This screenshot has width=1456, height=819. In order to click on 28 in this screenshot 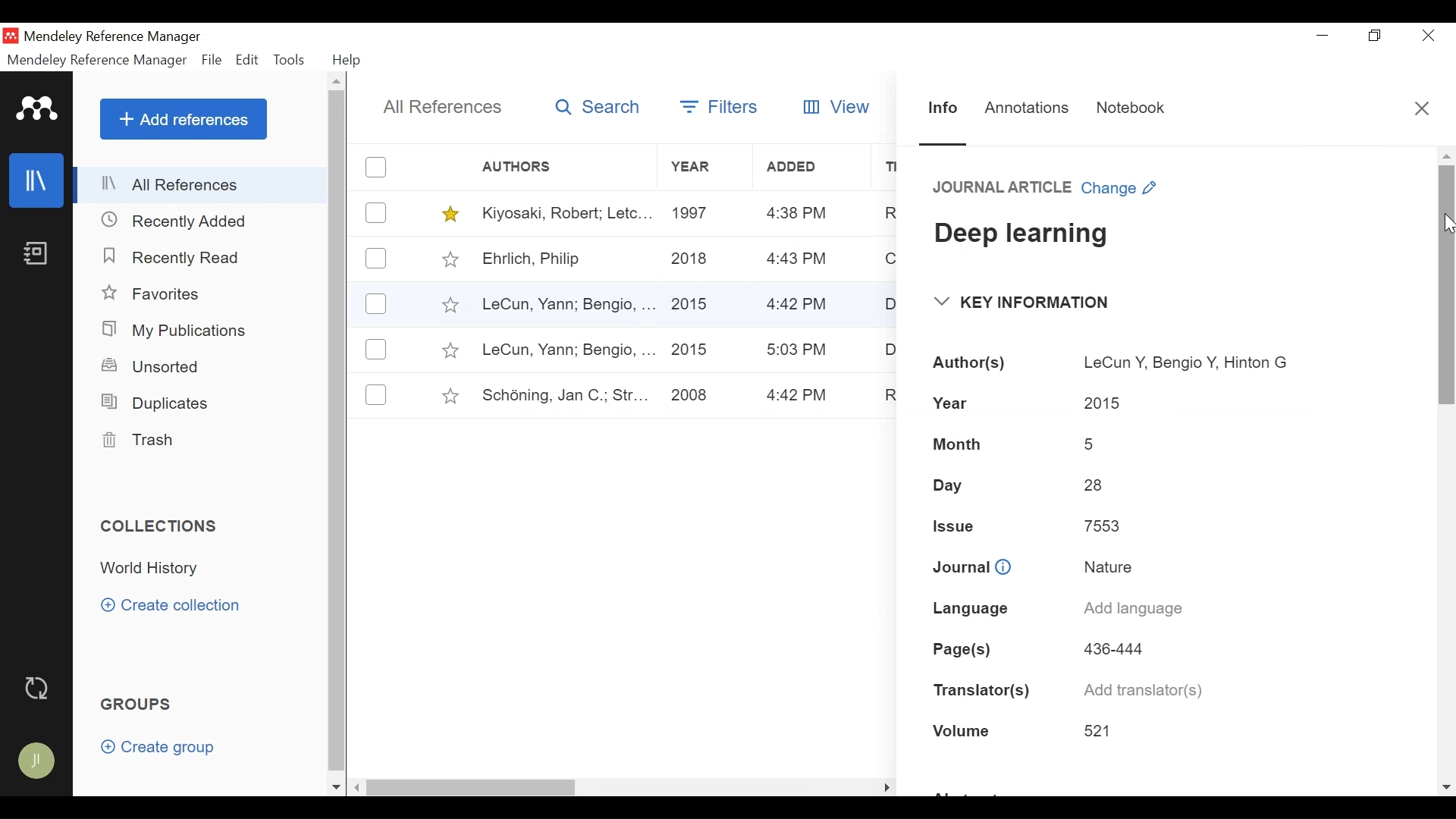, I will do `click(1097, 485)`.